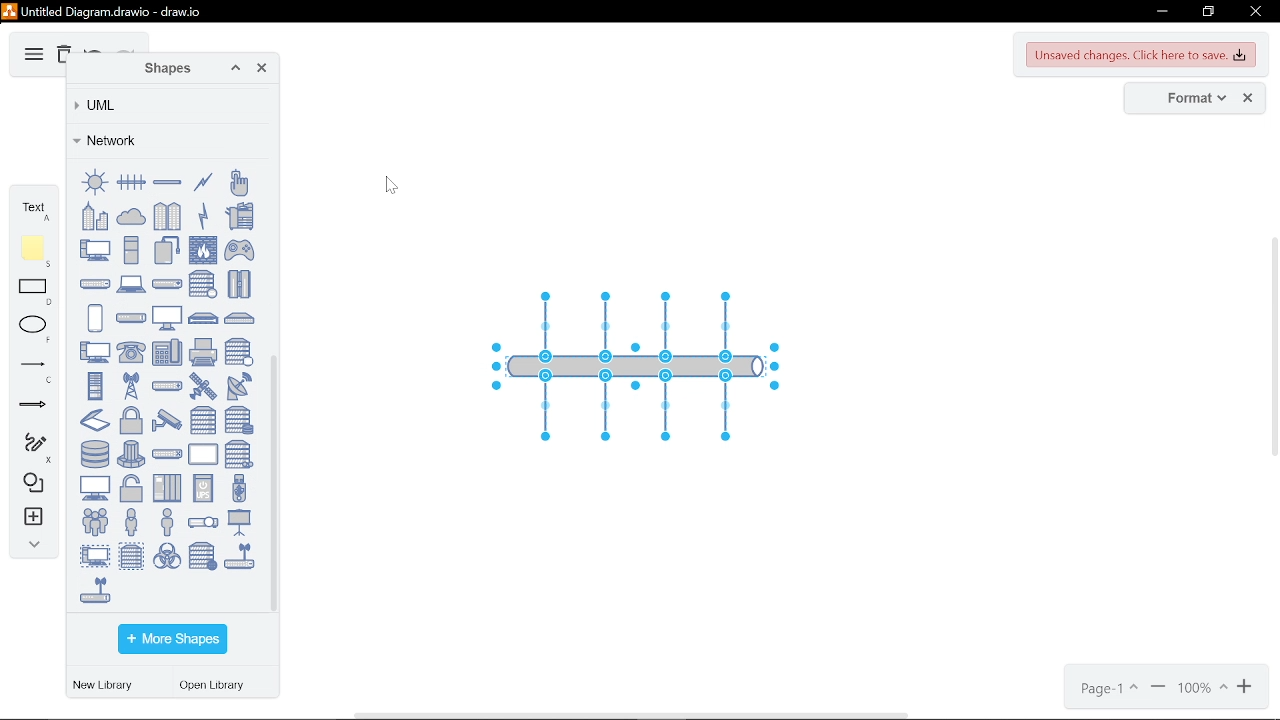 This screenshot has height=720, width=1280. Describe the element at coordinates (238, 182) in the screenshot. I see `biometric reader` at that location.